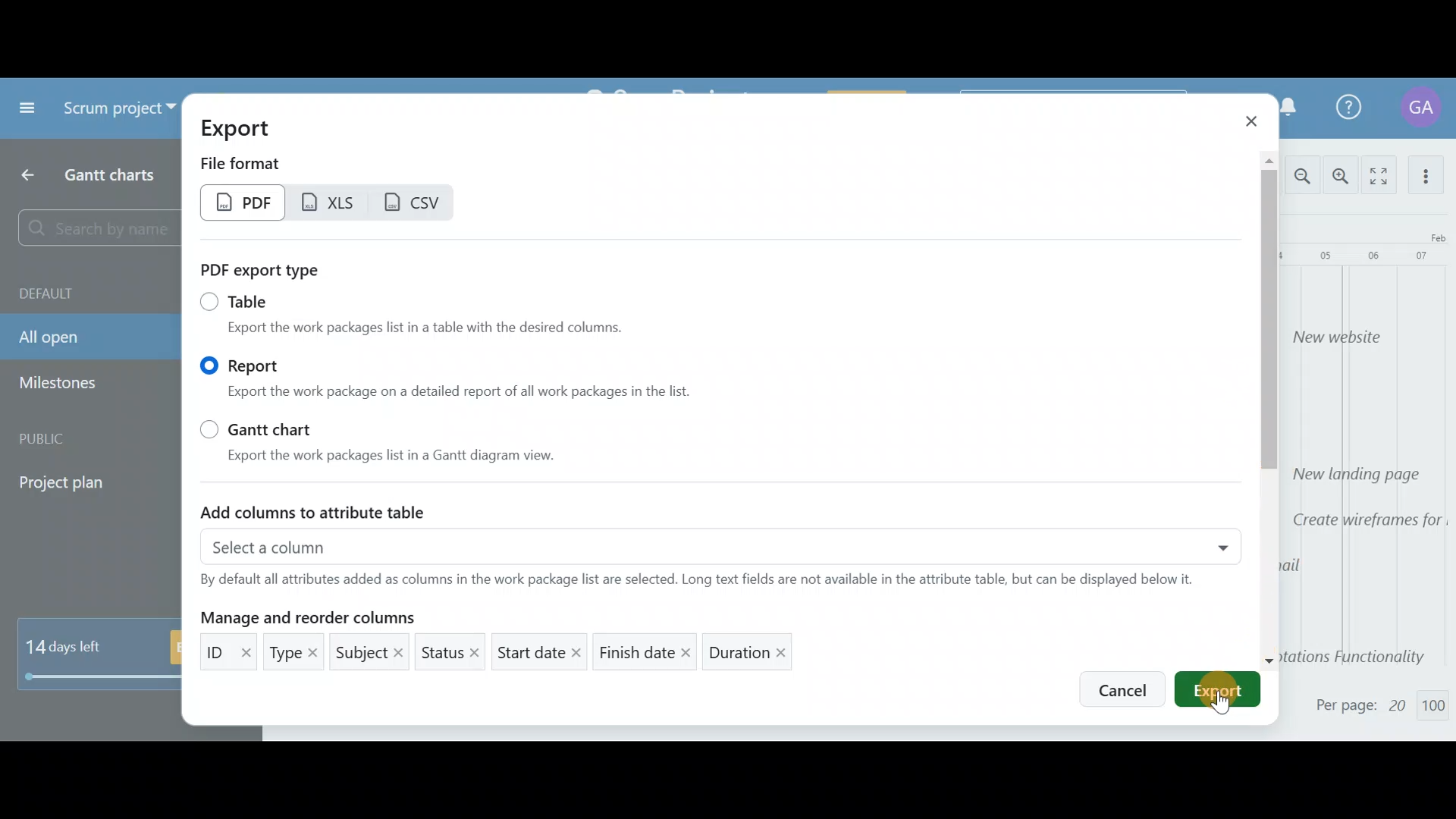  What do you see at coordinates (249, 363) in the screenshot?
I see `Report` at bounding box center [249, 363].